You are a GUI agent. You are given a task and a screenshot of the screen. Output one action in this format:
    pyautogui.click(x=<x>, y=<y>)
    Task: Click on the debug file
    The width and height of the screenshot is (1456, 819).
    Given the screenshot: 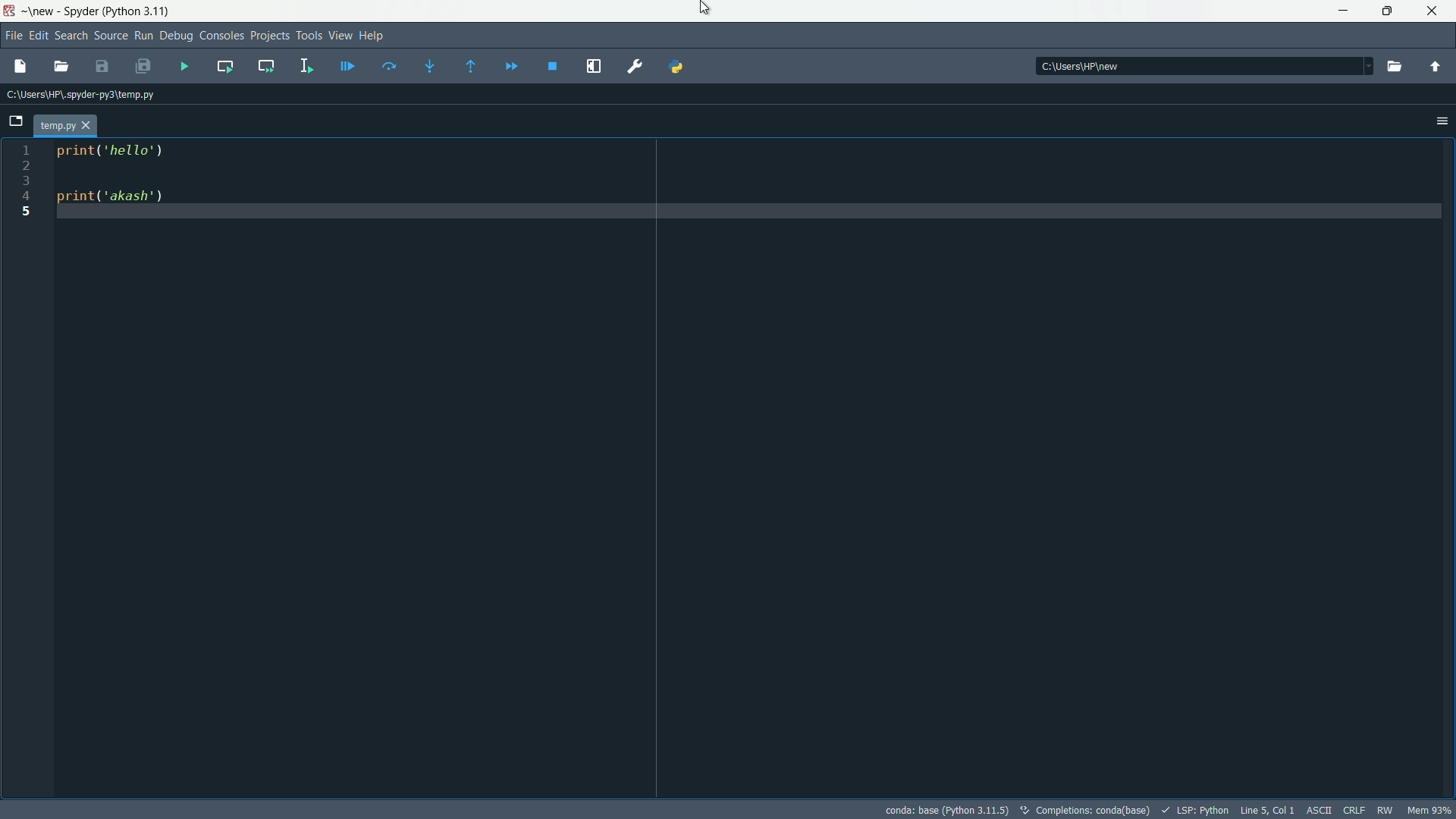 What is the action you would take?
    pyautogui.click(x=348, y=67)
    